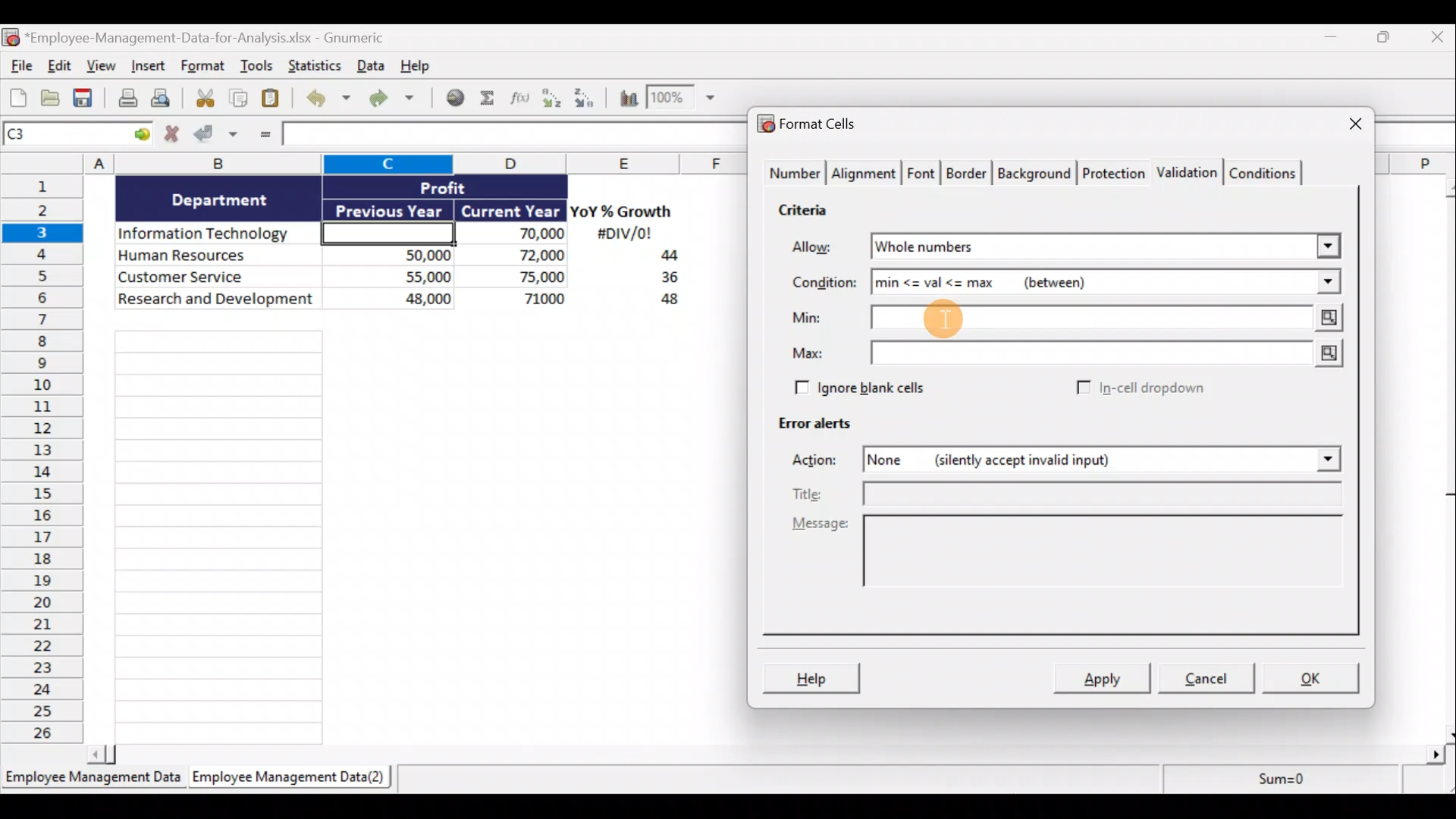  I want to click on Print preview, so click(169, 102).